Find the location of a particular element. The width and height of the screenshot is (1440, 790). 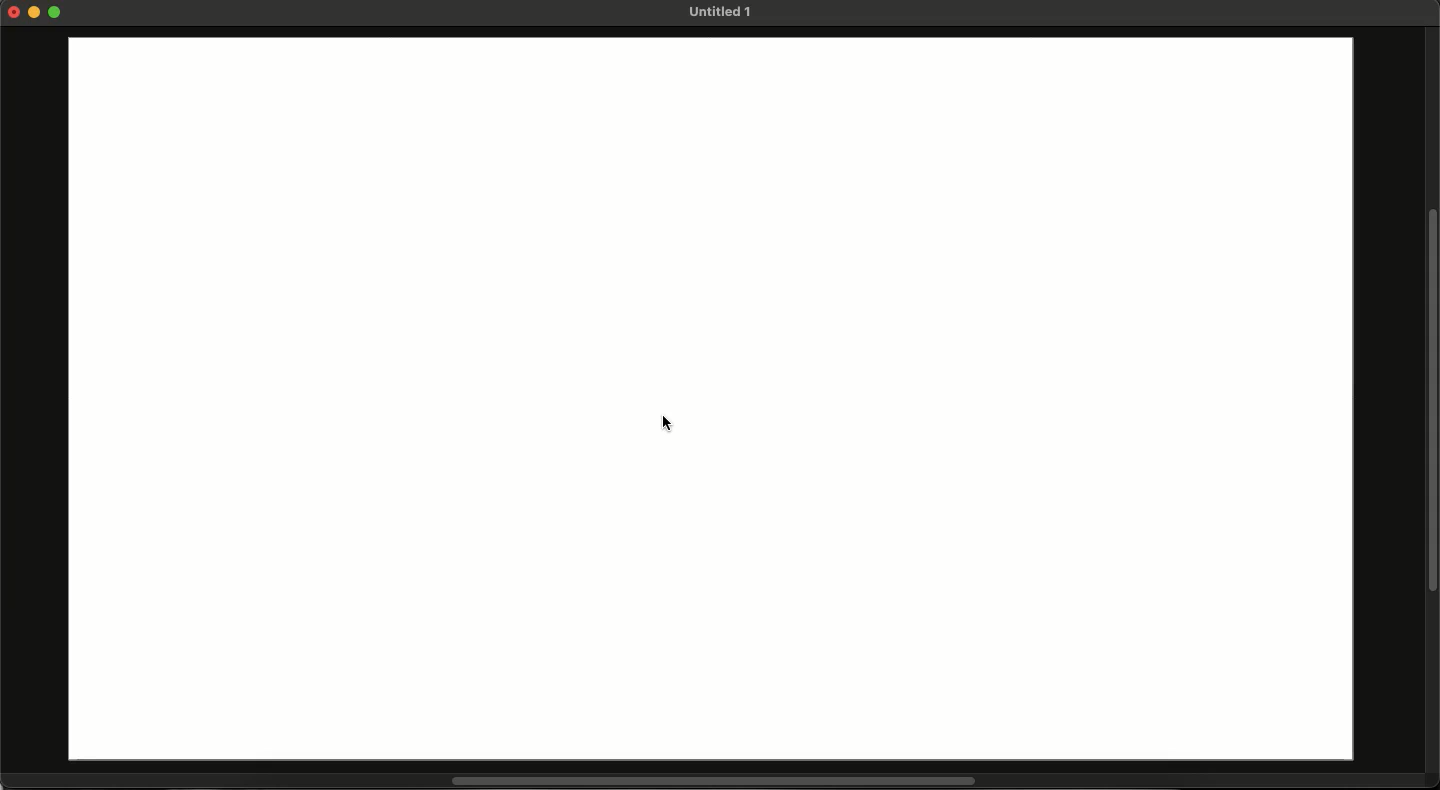

Untitled 1 is located at coordinates (718, 12).